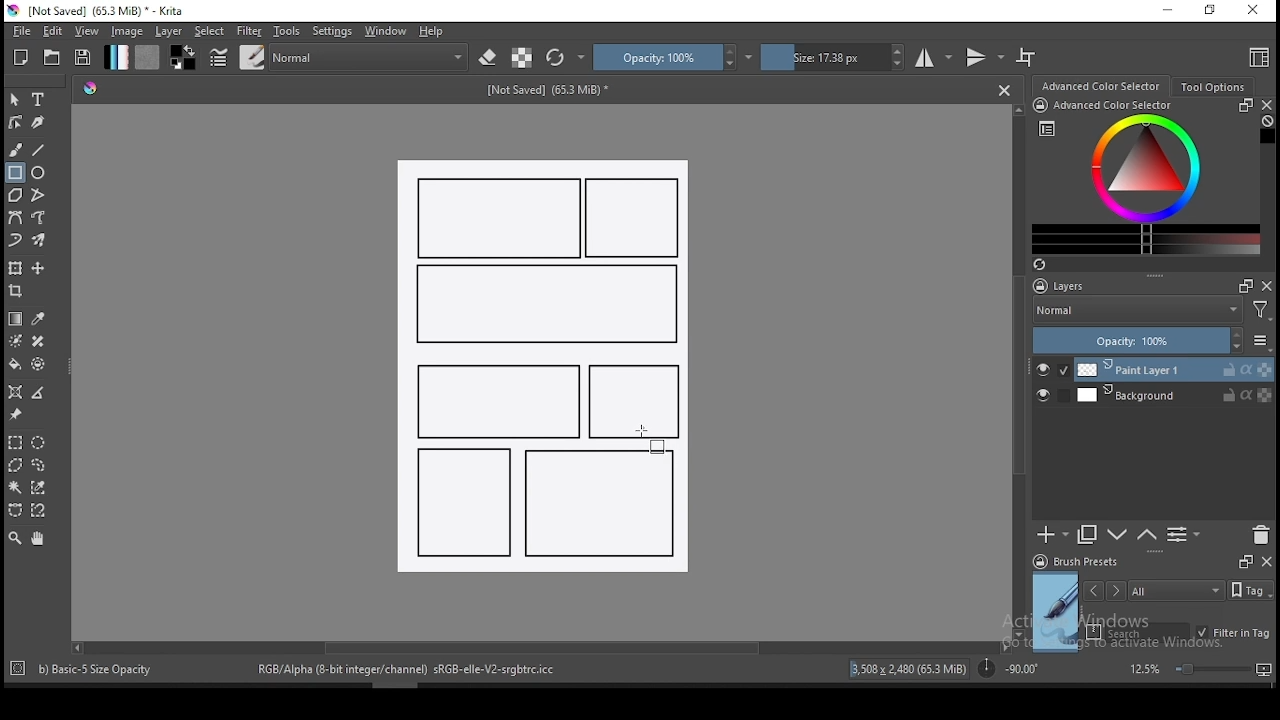 Image resolution: width=1280 pixels, height=720 pixels. Describe the element at coordinates (1260, 536) in the screenshot. I see `delete layer` at that location.